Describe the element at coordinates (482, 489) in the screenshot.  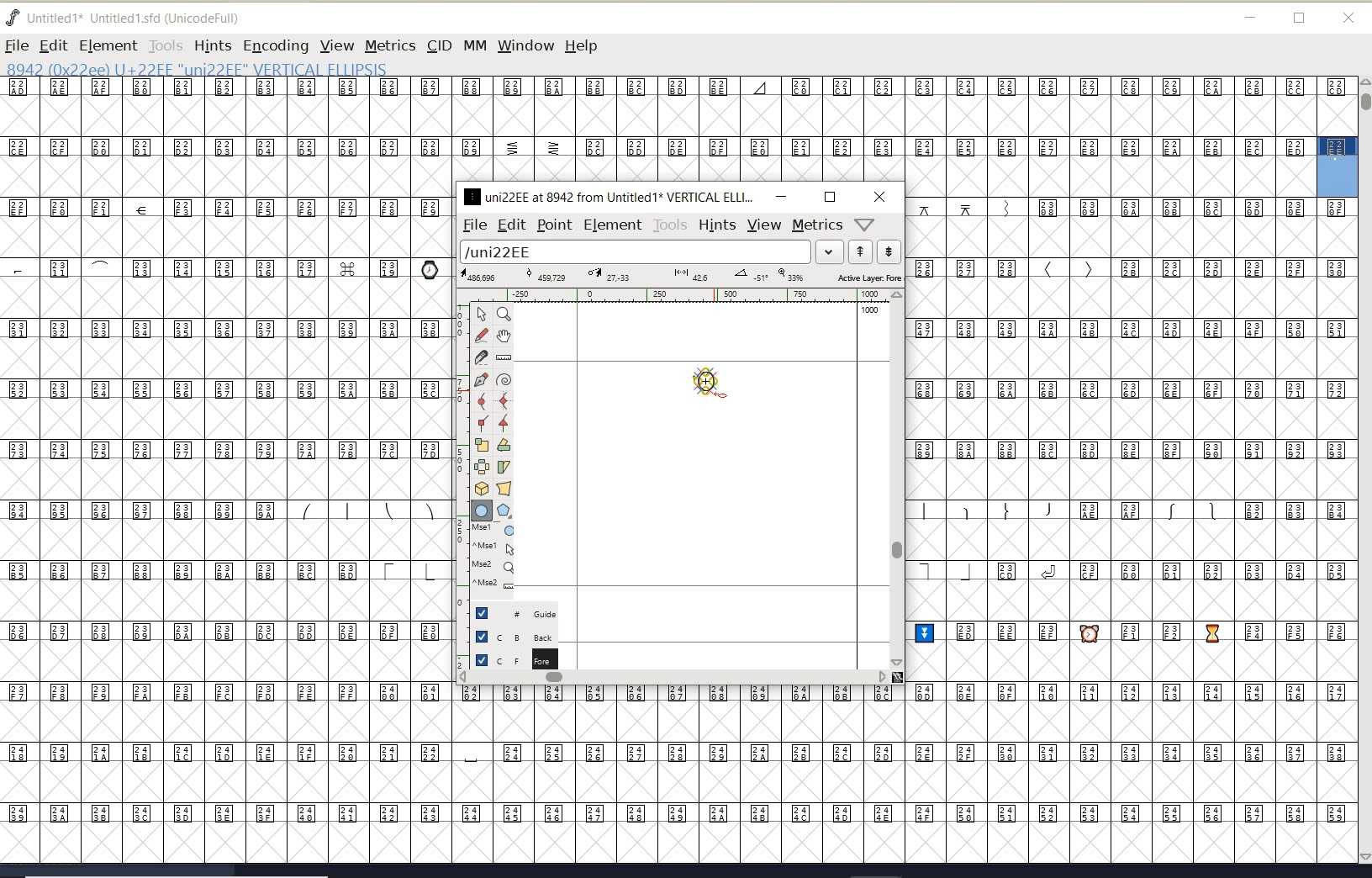
I see `rotate the selection in 3d and project back to plane` at that location.